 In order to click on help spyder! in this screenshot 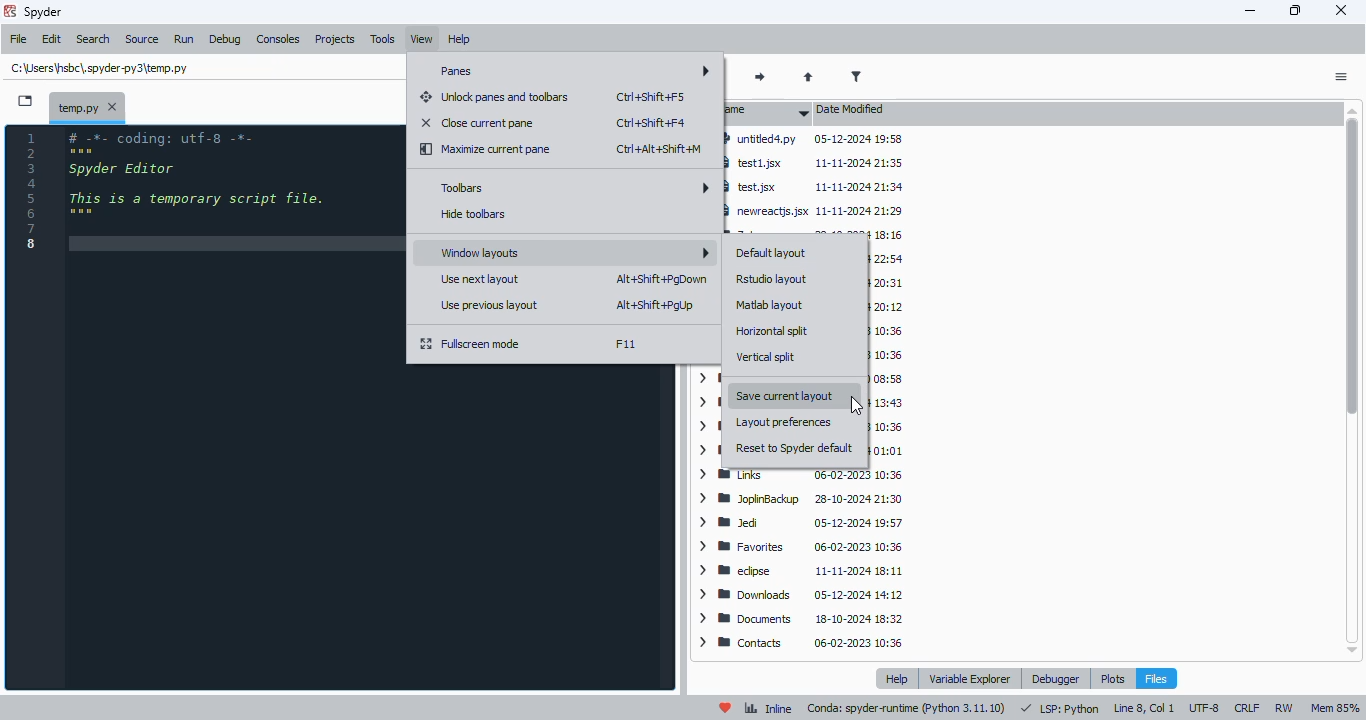, I will do `click(726, 709)`.